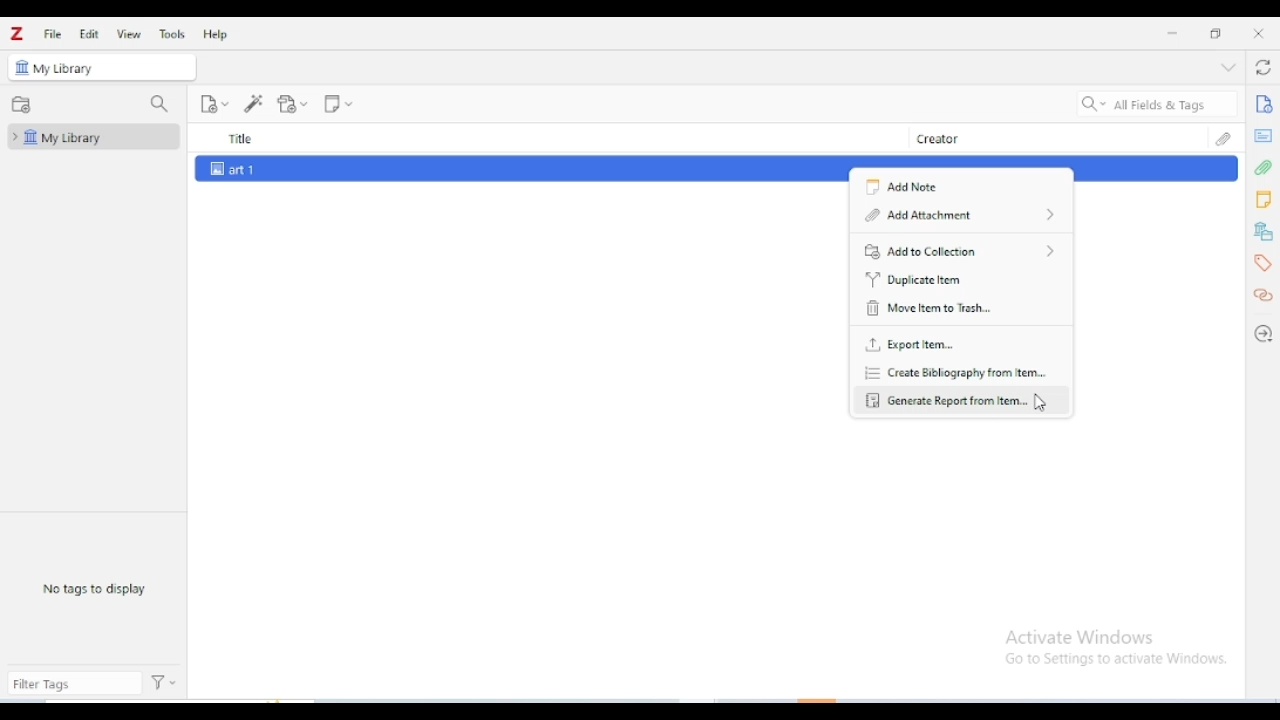  What do you see at coordinates (958, 249) in the screenshot?
I see `add to collection` at bounding box center [958, 249].